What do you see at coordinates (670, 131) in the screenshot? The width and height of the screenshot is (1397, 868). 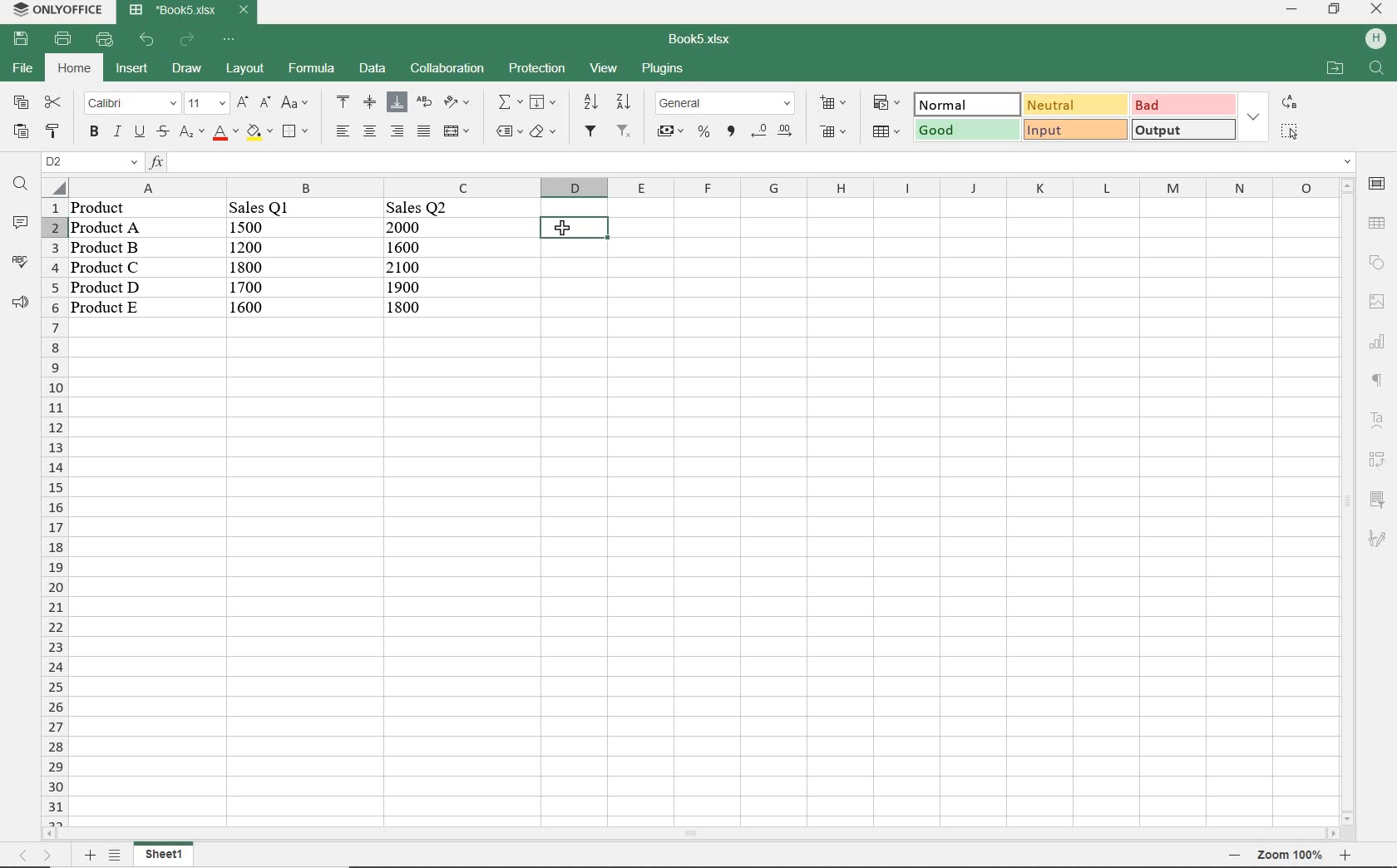 I see `accounting style` at bounding box center [670, 131].